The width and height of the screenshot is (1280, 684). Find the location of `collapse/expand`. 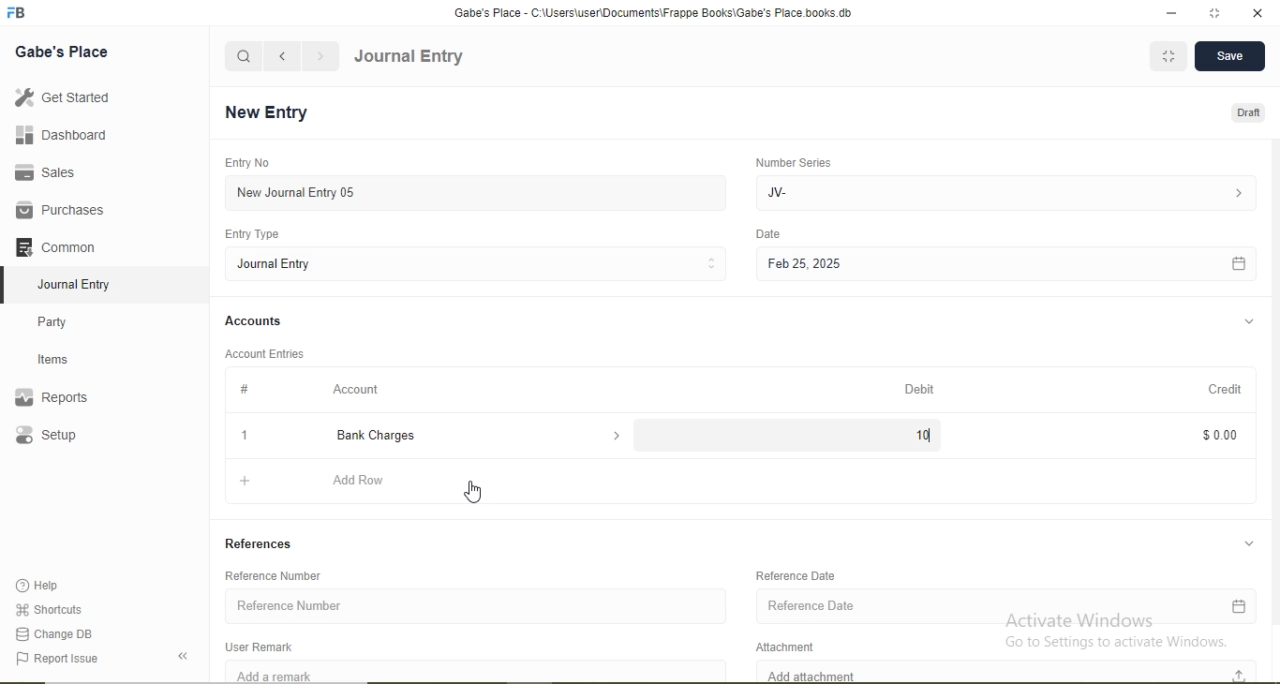

collapse/expand is located at coordinates (1249, 322).